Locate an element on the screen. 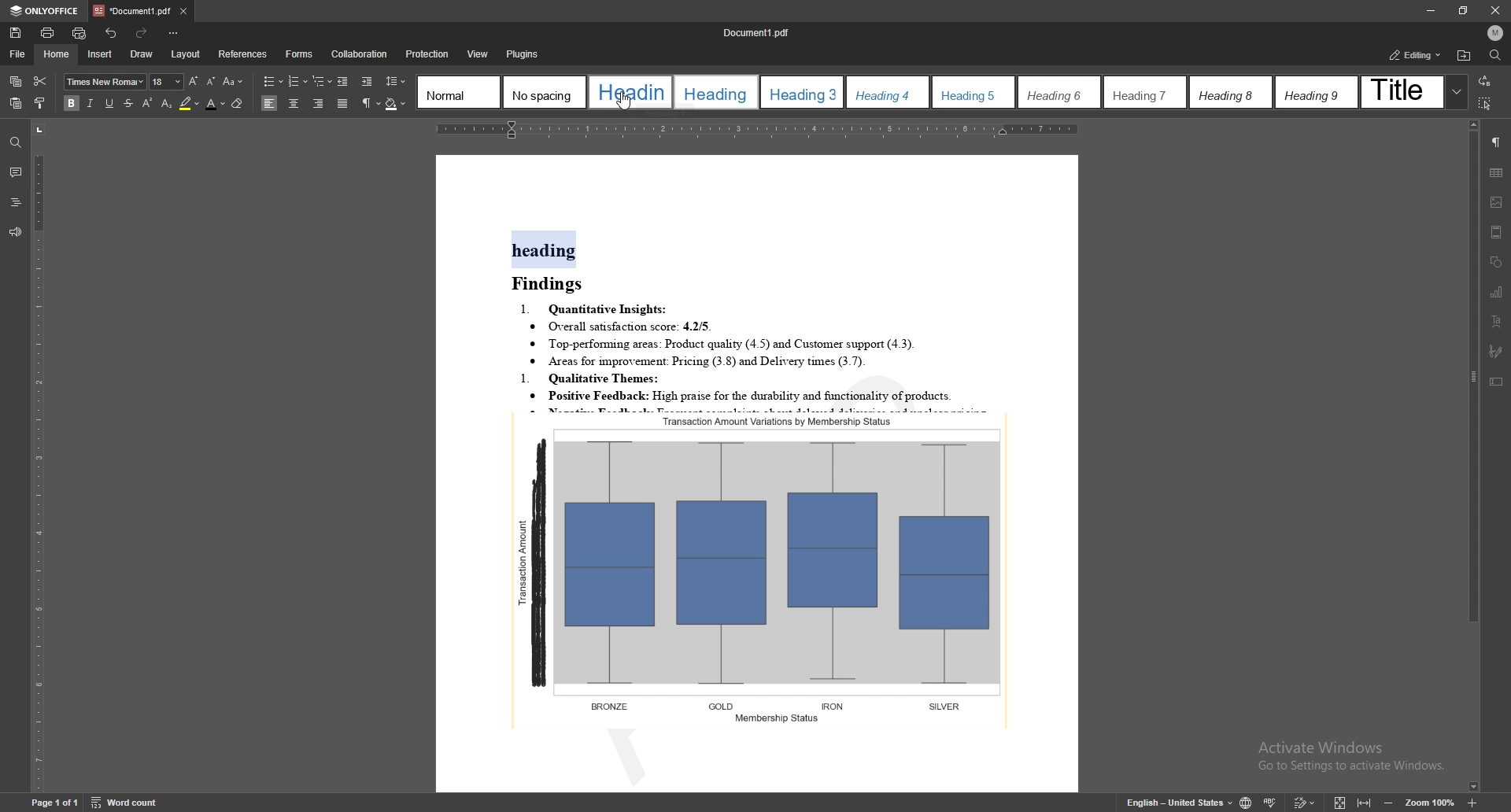 This screenshot has height=812, width=1511. shapes is located at coordinates (1498, 263).